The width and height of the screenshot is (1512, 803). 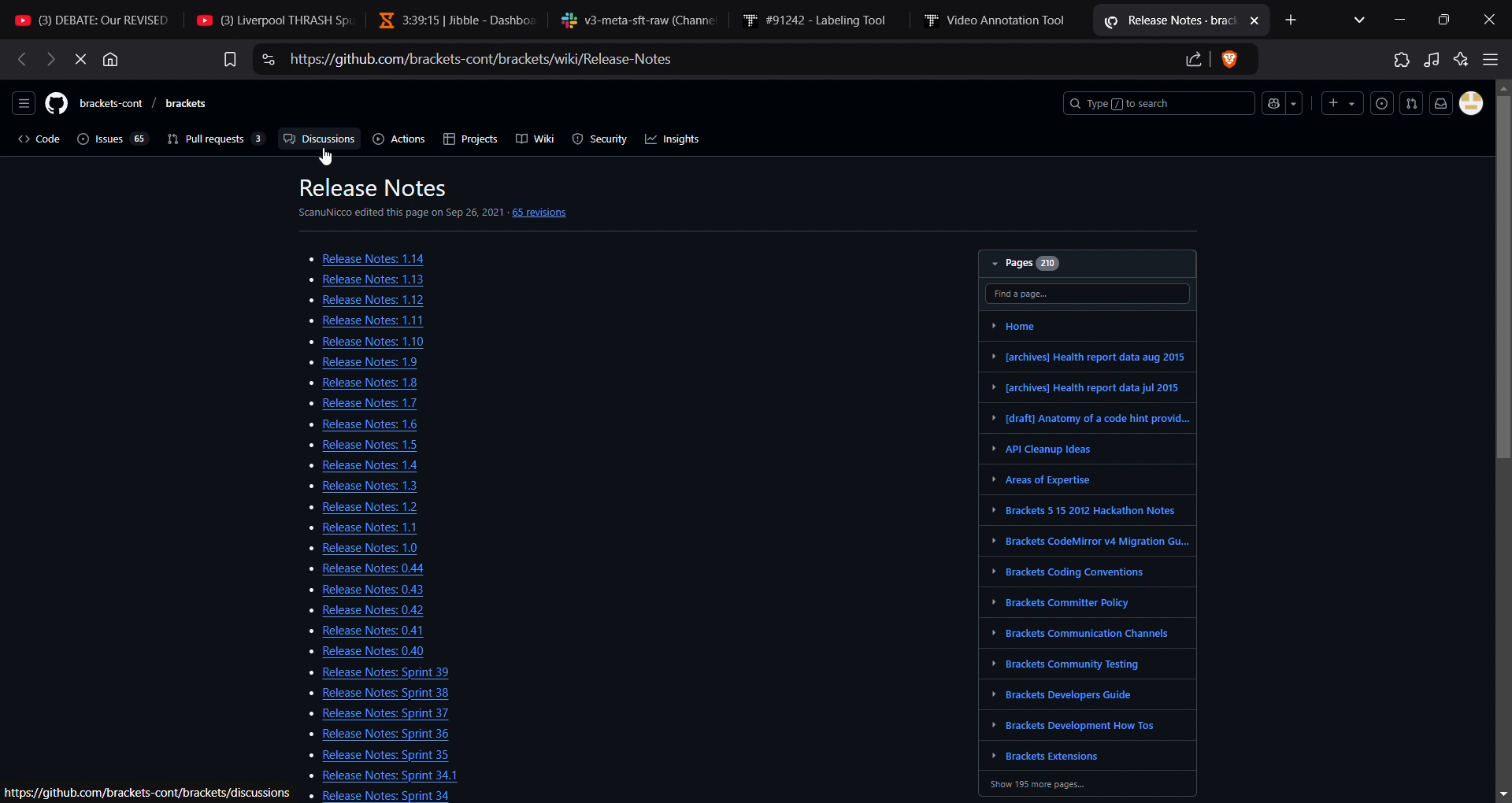 I want to click on Show 195 more pages..., so click(x=1062, y=785).